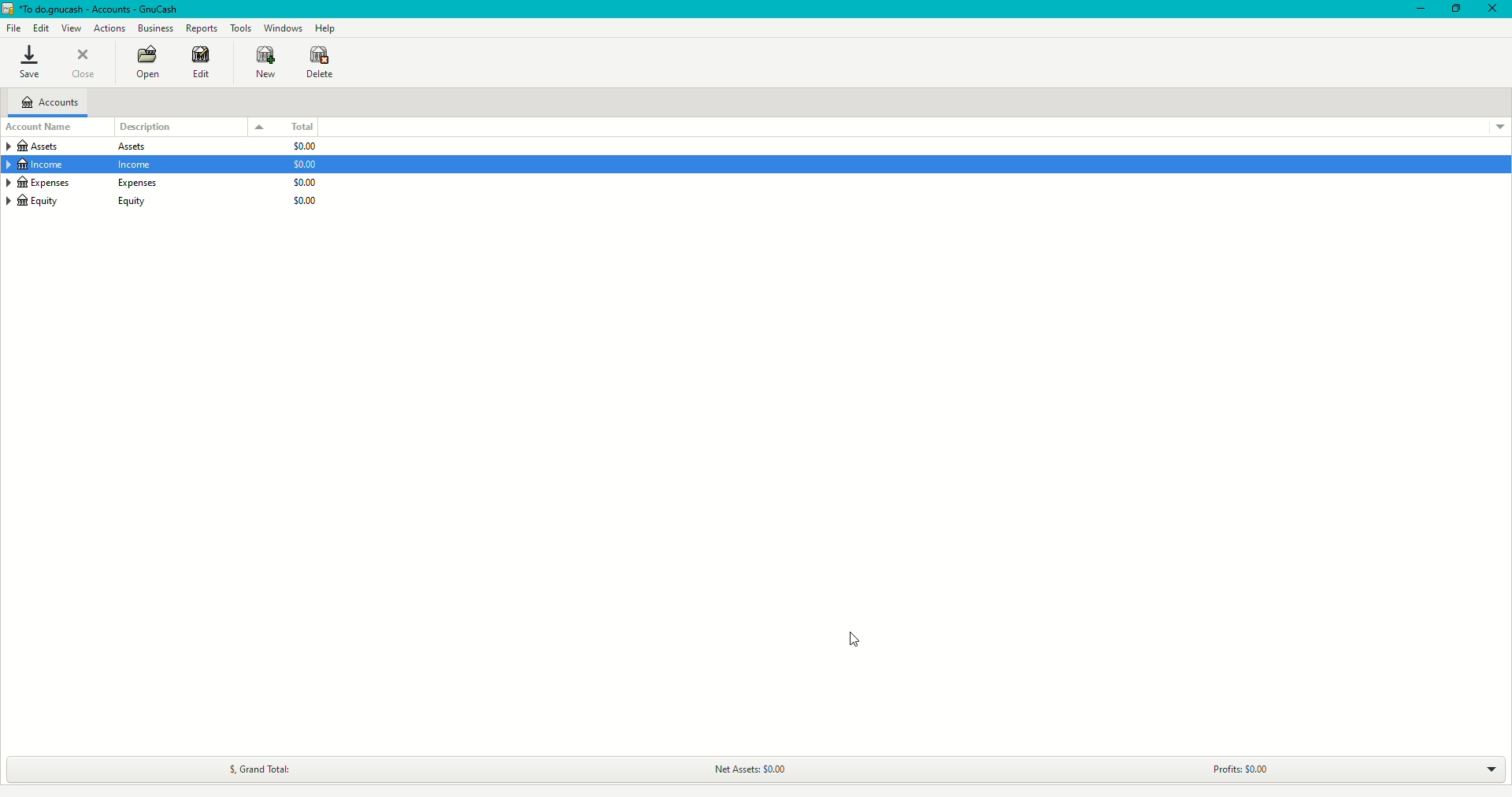 The height and width of the screenshot is (797, 1512). What do you see at coordinates (30, 63) in the screenshot?
I see `Save` at bounding box center [30, 63].